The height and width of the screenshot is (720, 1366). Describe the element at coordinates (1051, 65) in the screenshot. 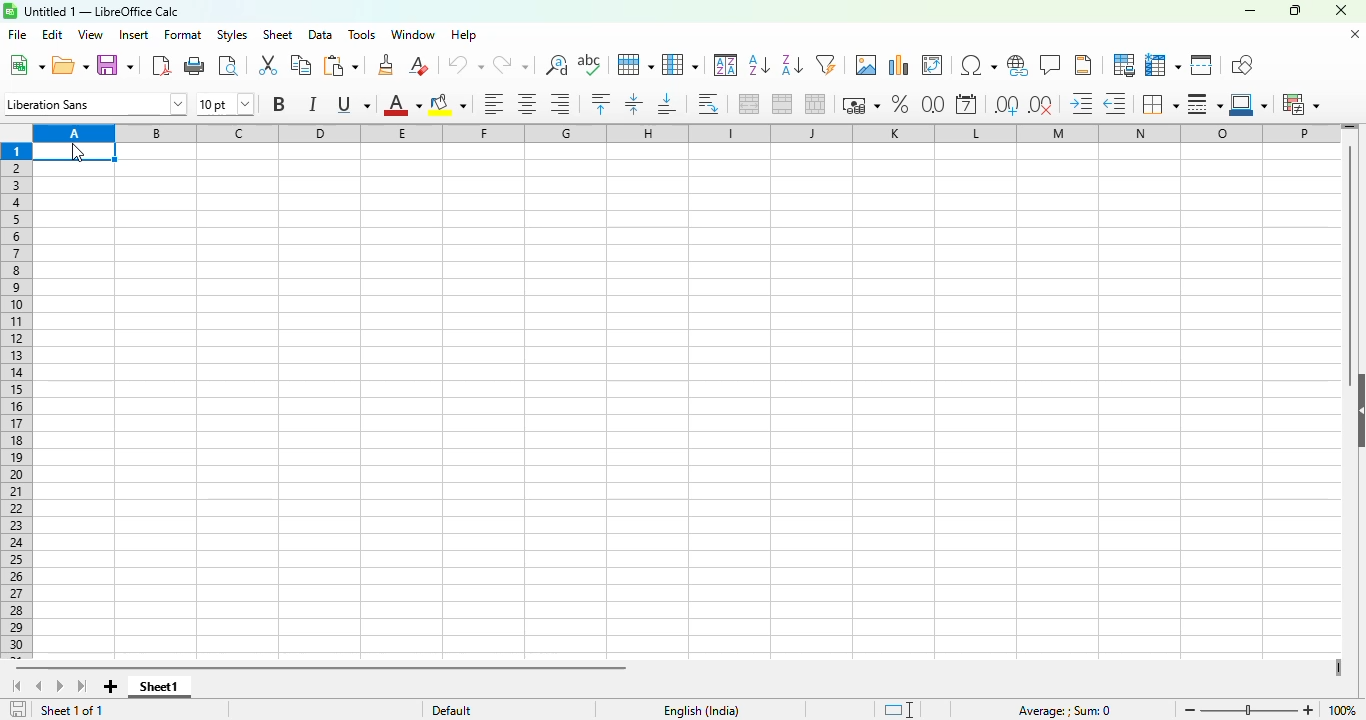

I see `insert comment` at that location.